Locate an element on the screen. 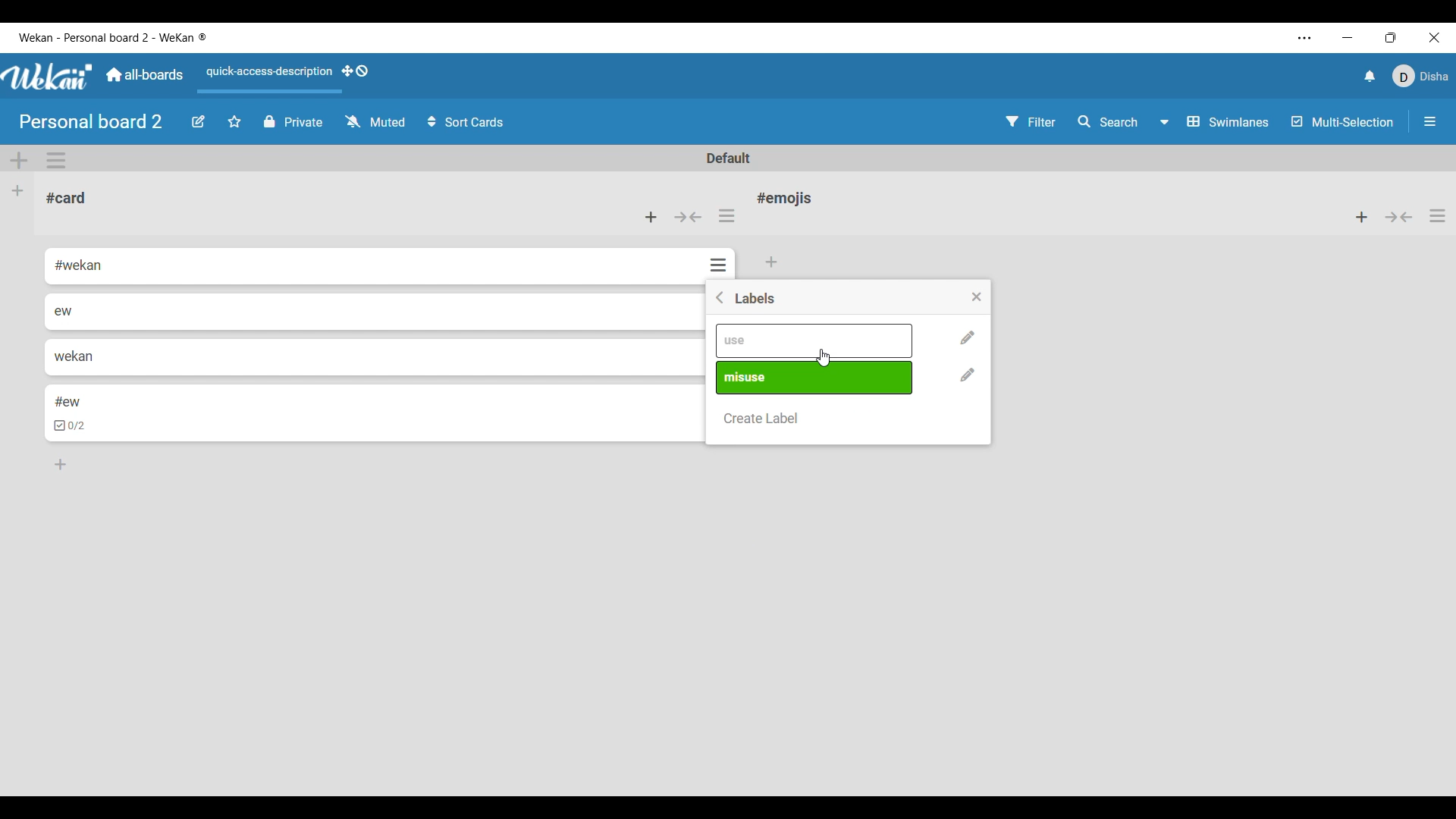  Toggle for multi-selection is located at coordinates (1343, 121).